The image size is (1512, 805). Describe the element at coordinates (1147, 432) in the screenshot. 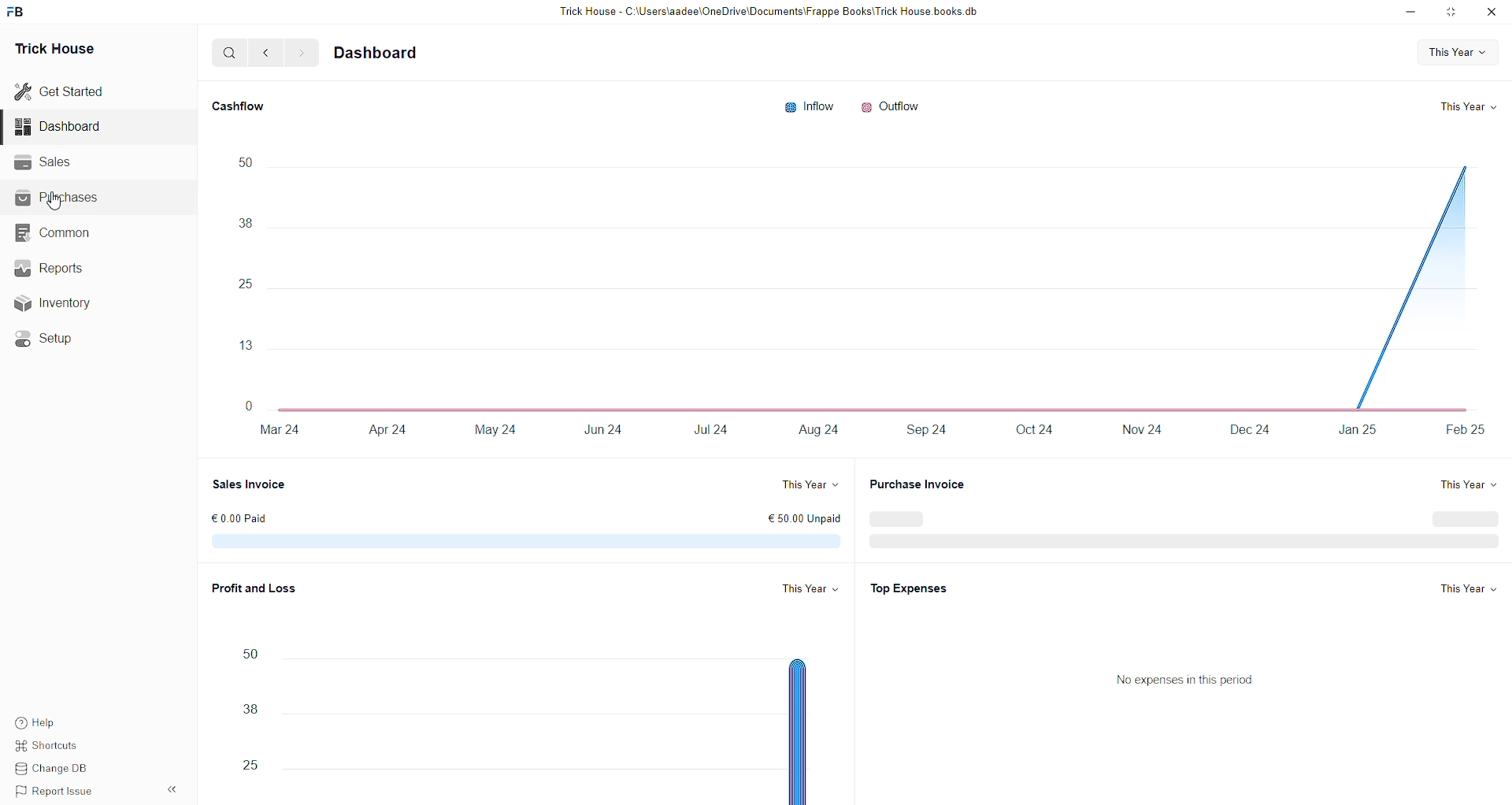

I see ` Nov 24` at that location.